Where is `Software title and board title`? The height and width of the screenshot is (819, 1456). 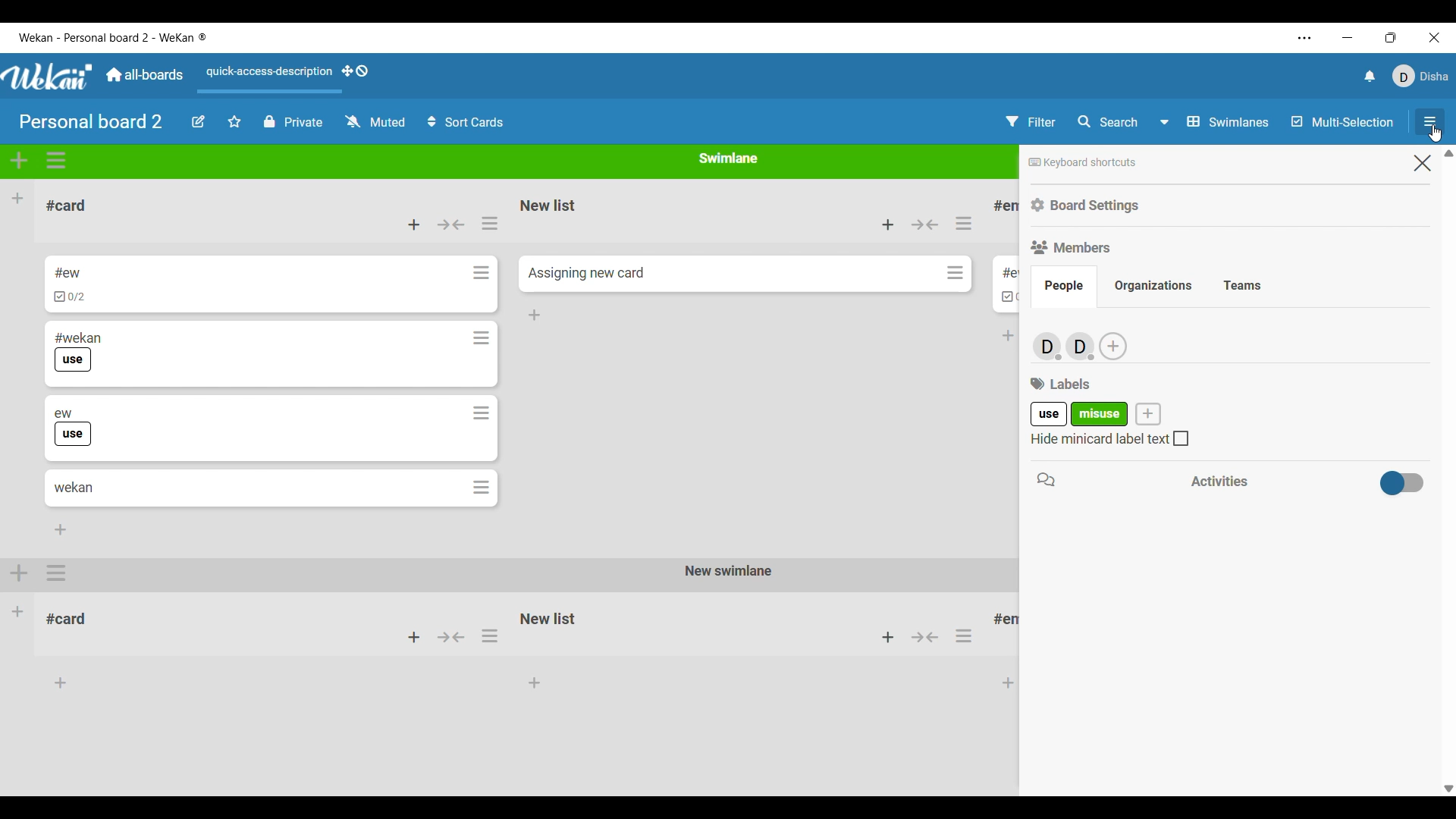 Software title and board title is located at coordinates (113, 38).